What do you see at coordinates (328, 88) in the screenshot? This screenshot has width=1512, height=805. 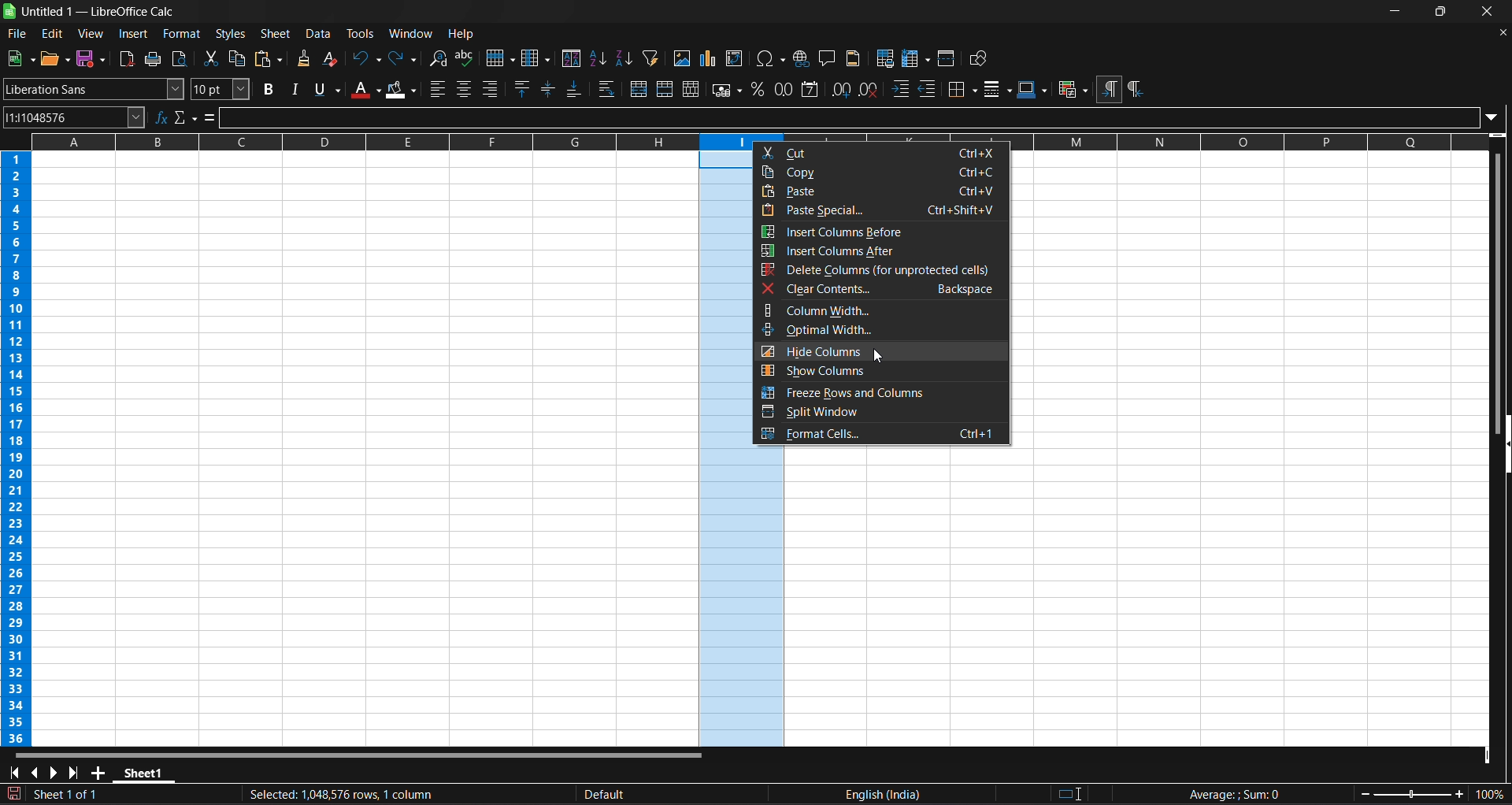 I see `underline` at bounding box center [328, 88].